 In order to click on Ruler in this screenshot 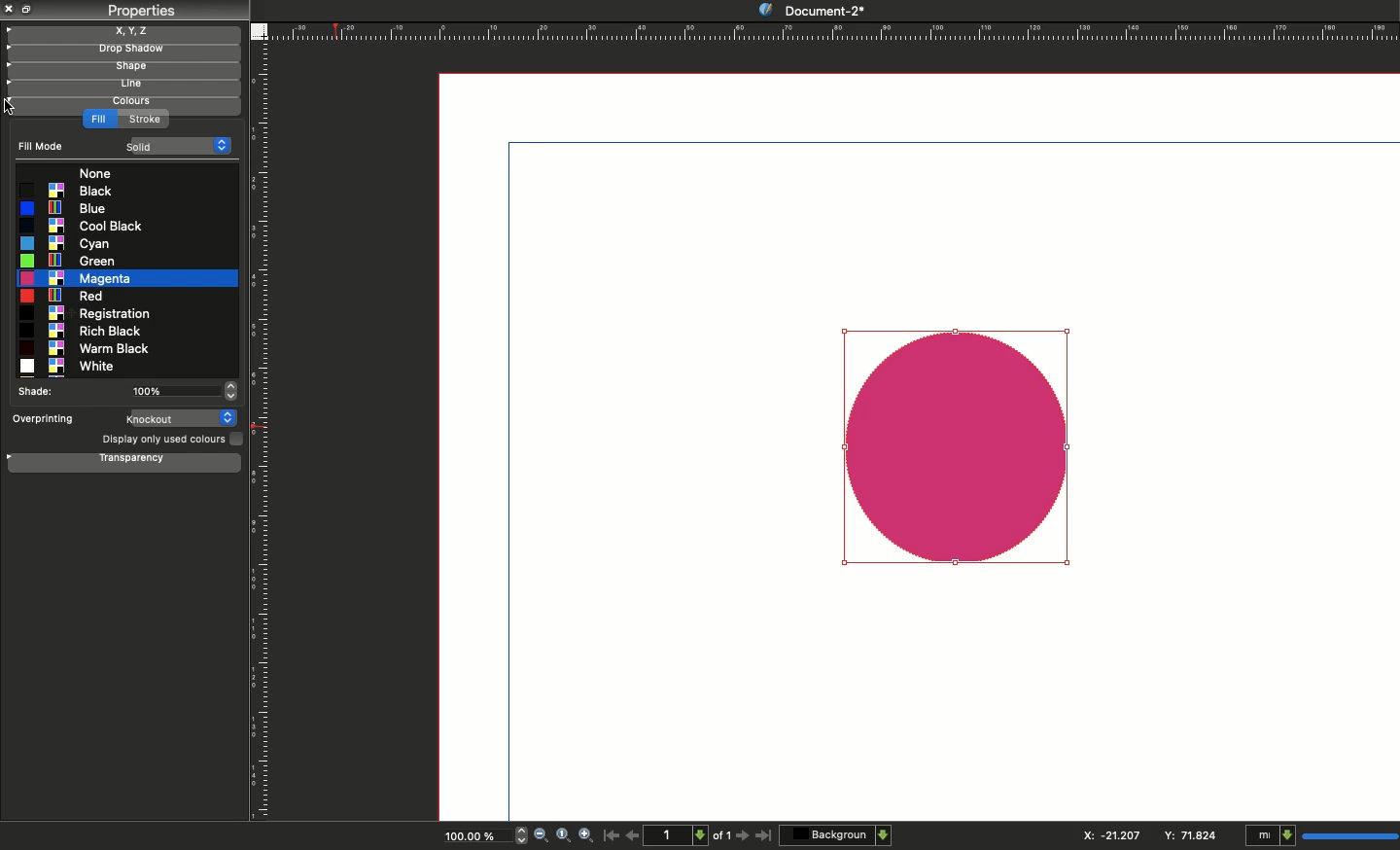, I will do `click(262, 433)`.